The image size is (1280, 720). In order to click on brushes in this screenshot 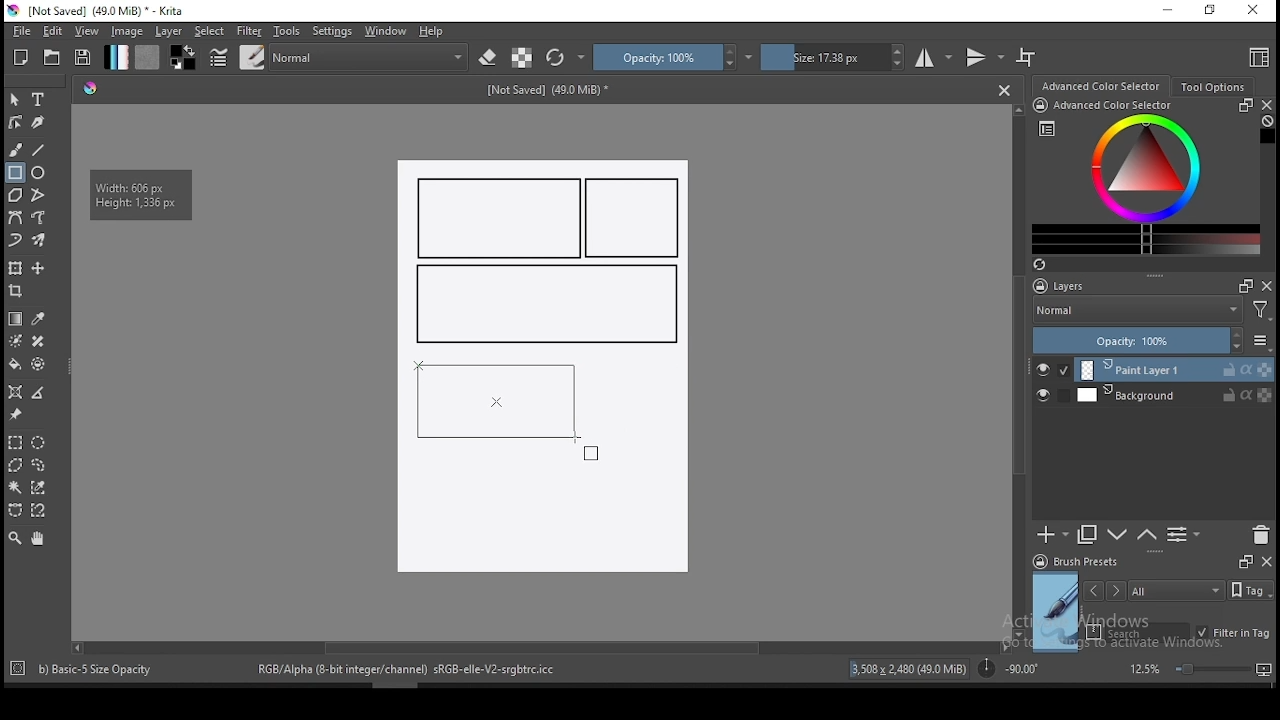, I will do `click(252, 57)`.